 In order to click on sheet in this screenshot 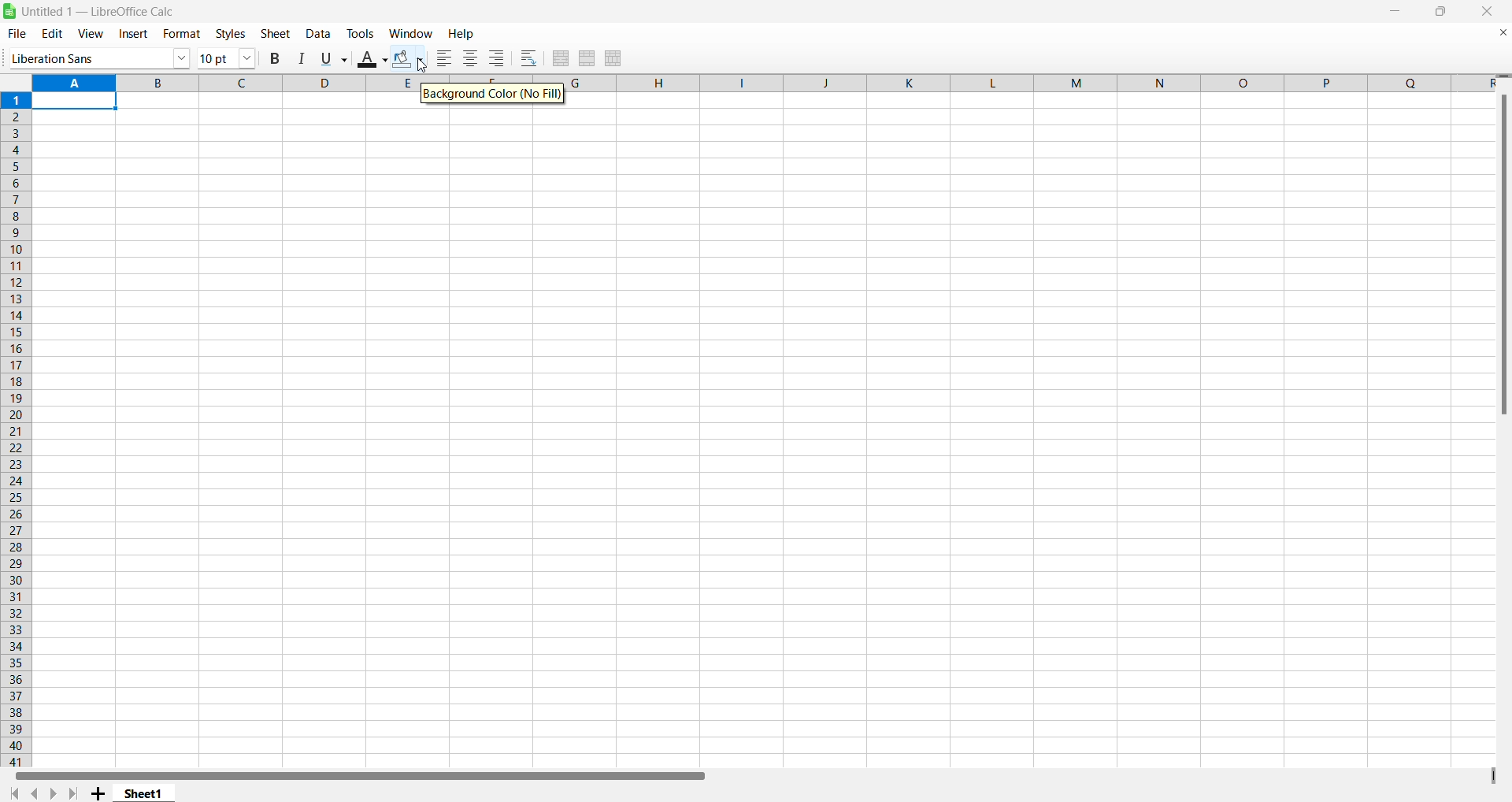, I will do `click(277, 35)`.